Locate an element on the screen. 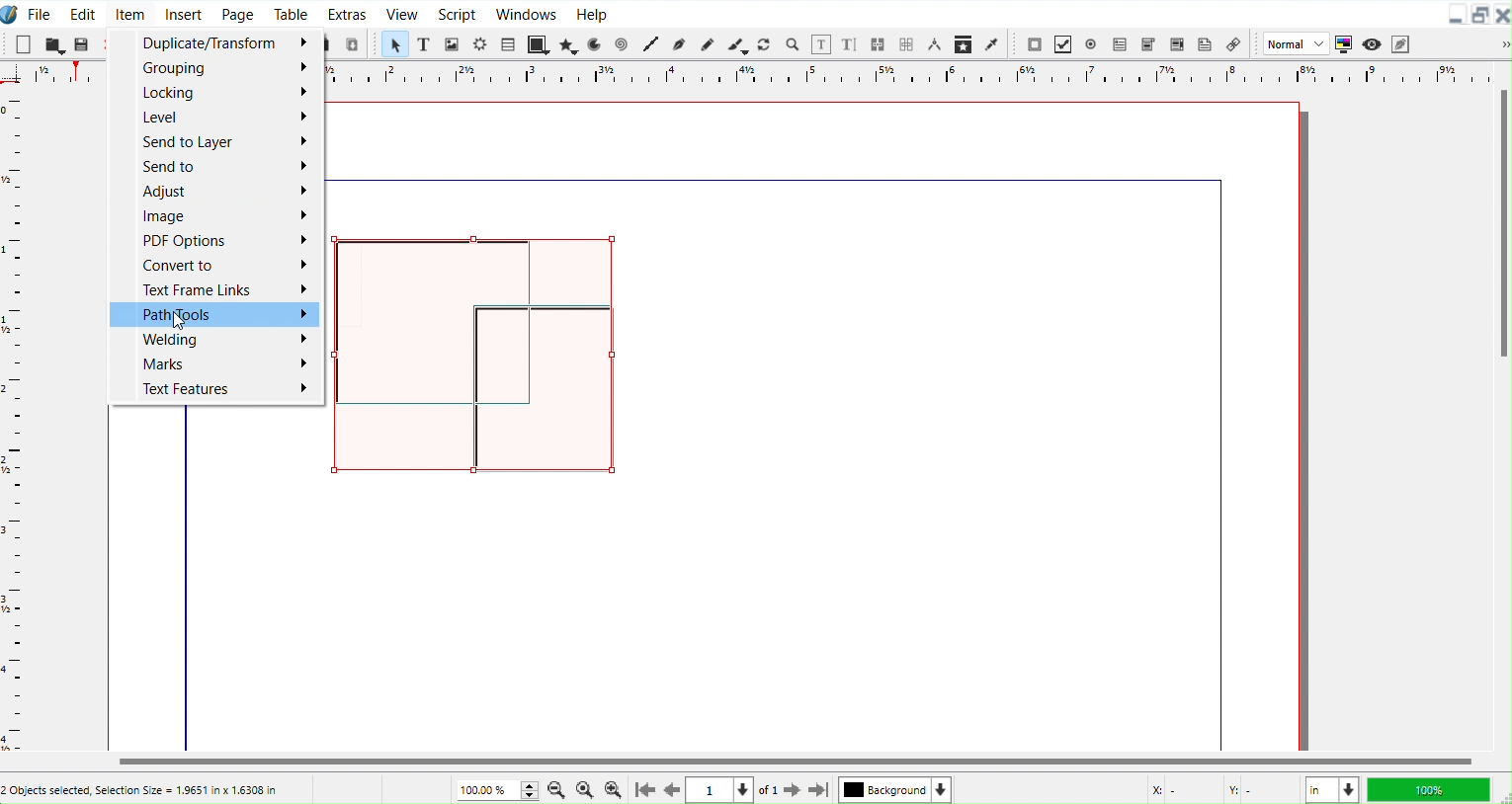  Eye dropper is located at coordinates (992, 43).